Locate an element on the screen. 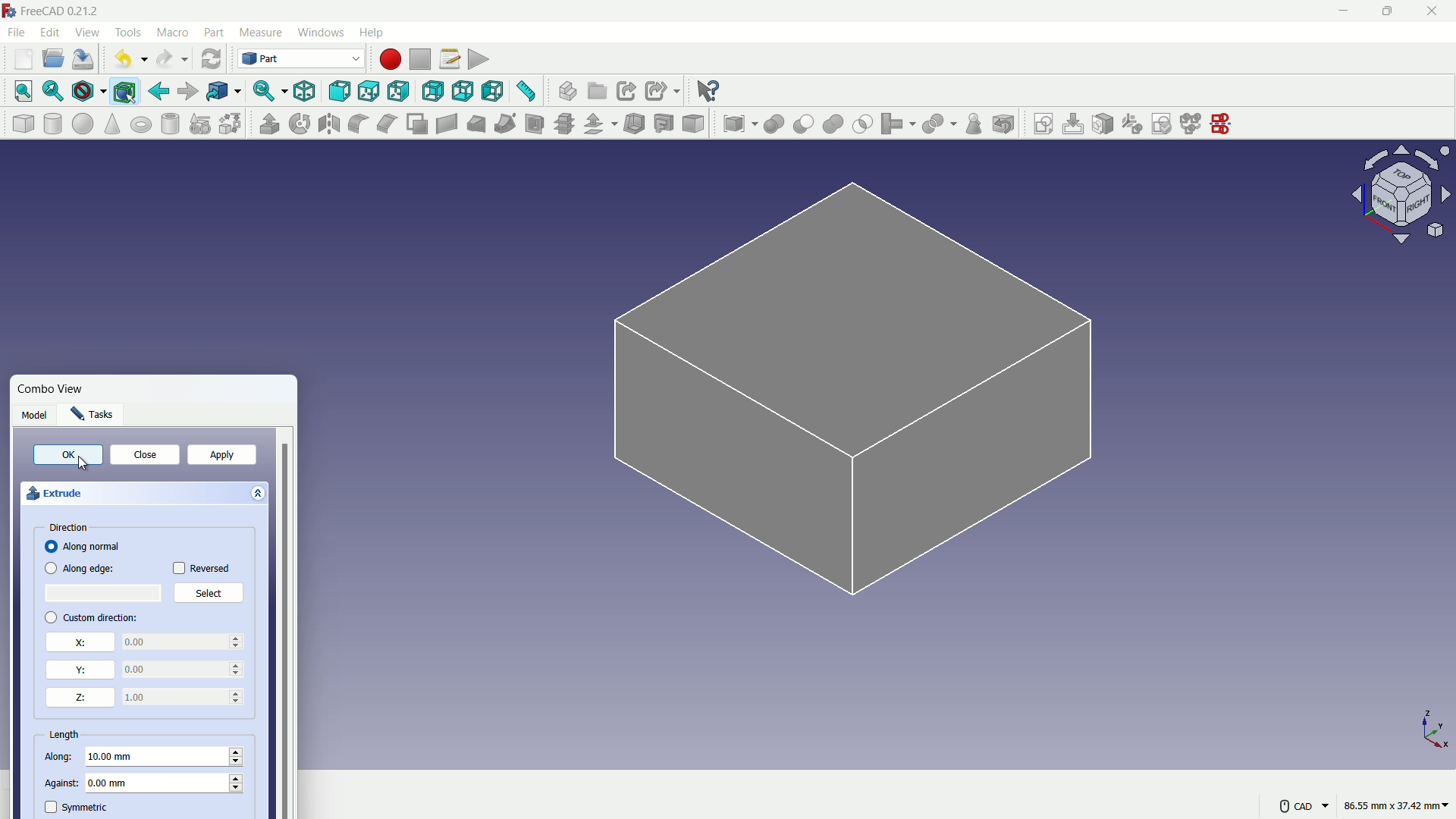  cylinder is located at coordinates (53, 124).